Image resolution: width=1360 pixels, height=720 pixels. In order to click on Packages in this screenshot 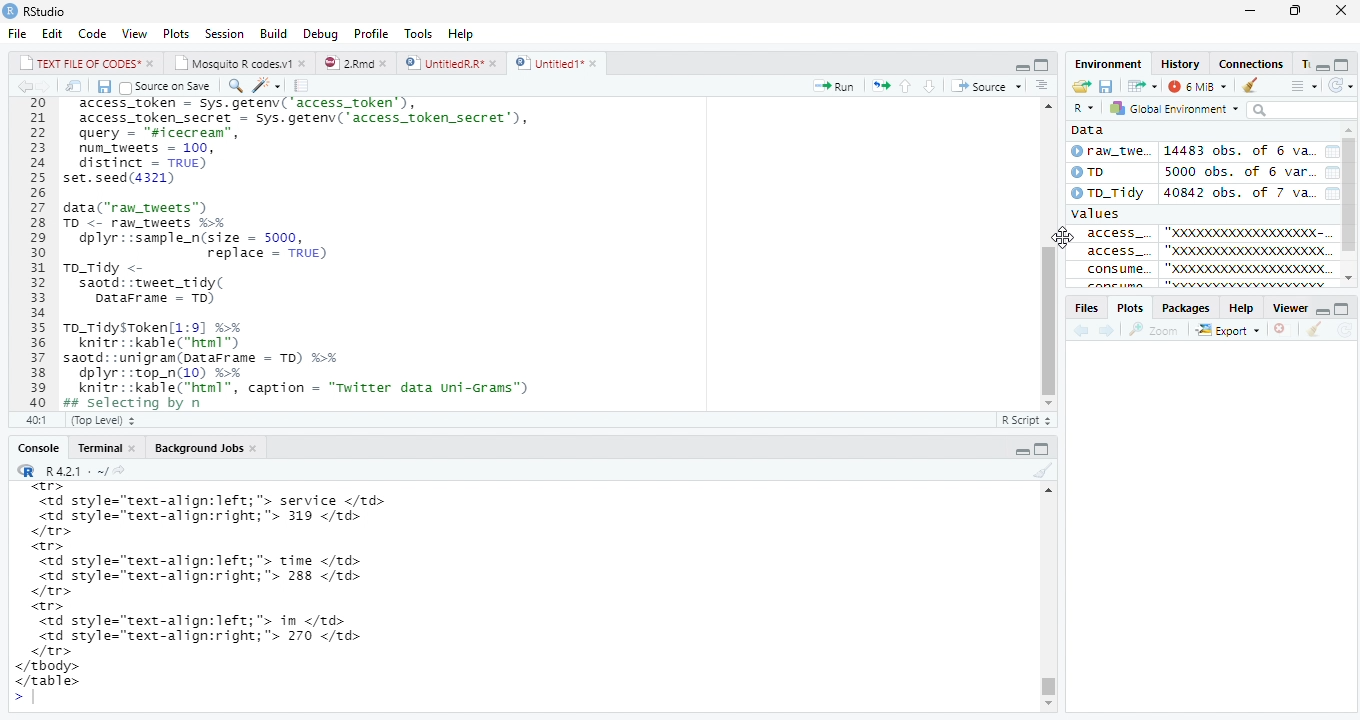, I will do `click(1183, 308)`.